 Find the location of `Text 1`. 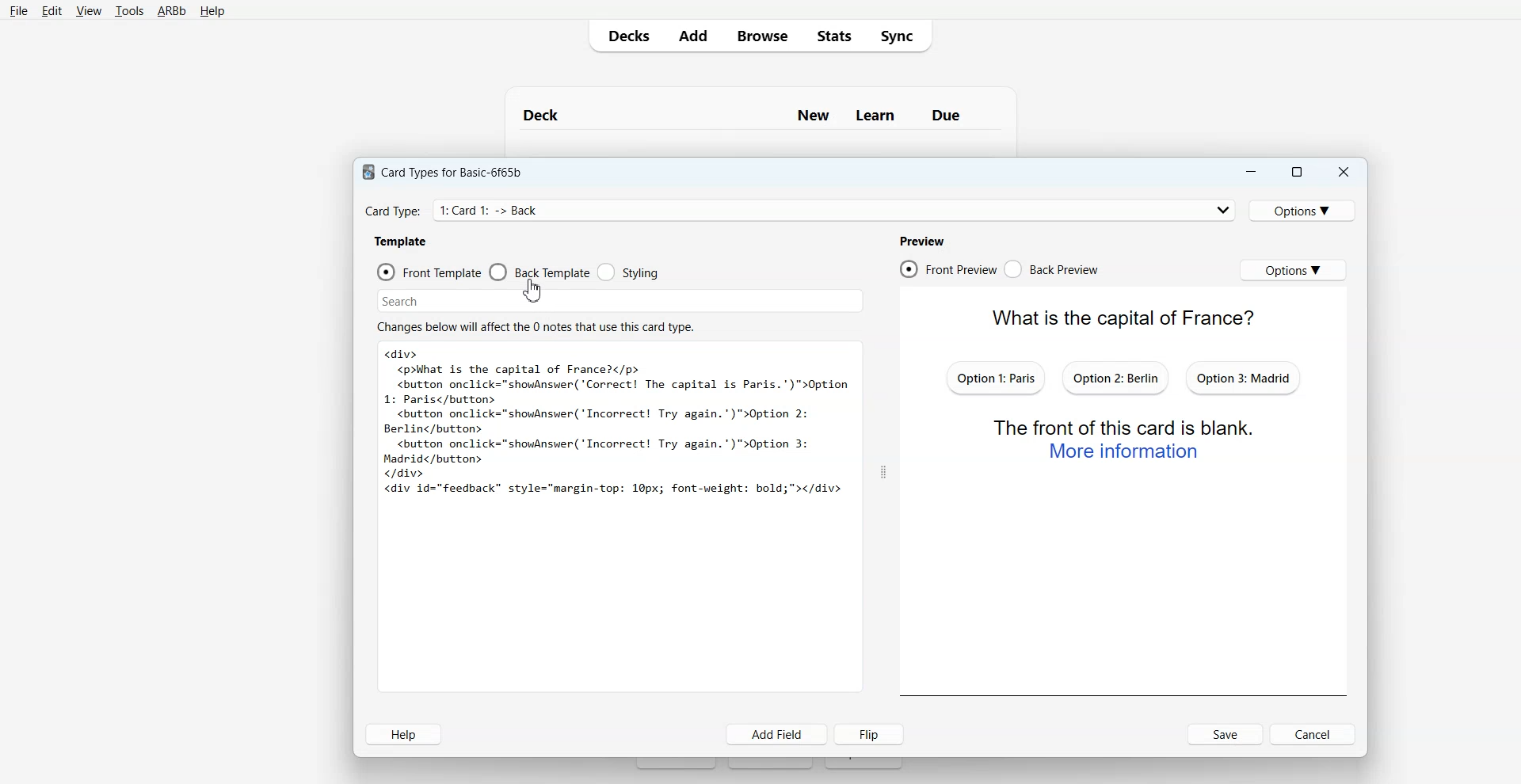

Text 1 is located at coordinates (448, 169).